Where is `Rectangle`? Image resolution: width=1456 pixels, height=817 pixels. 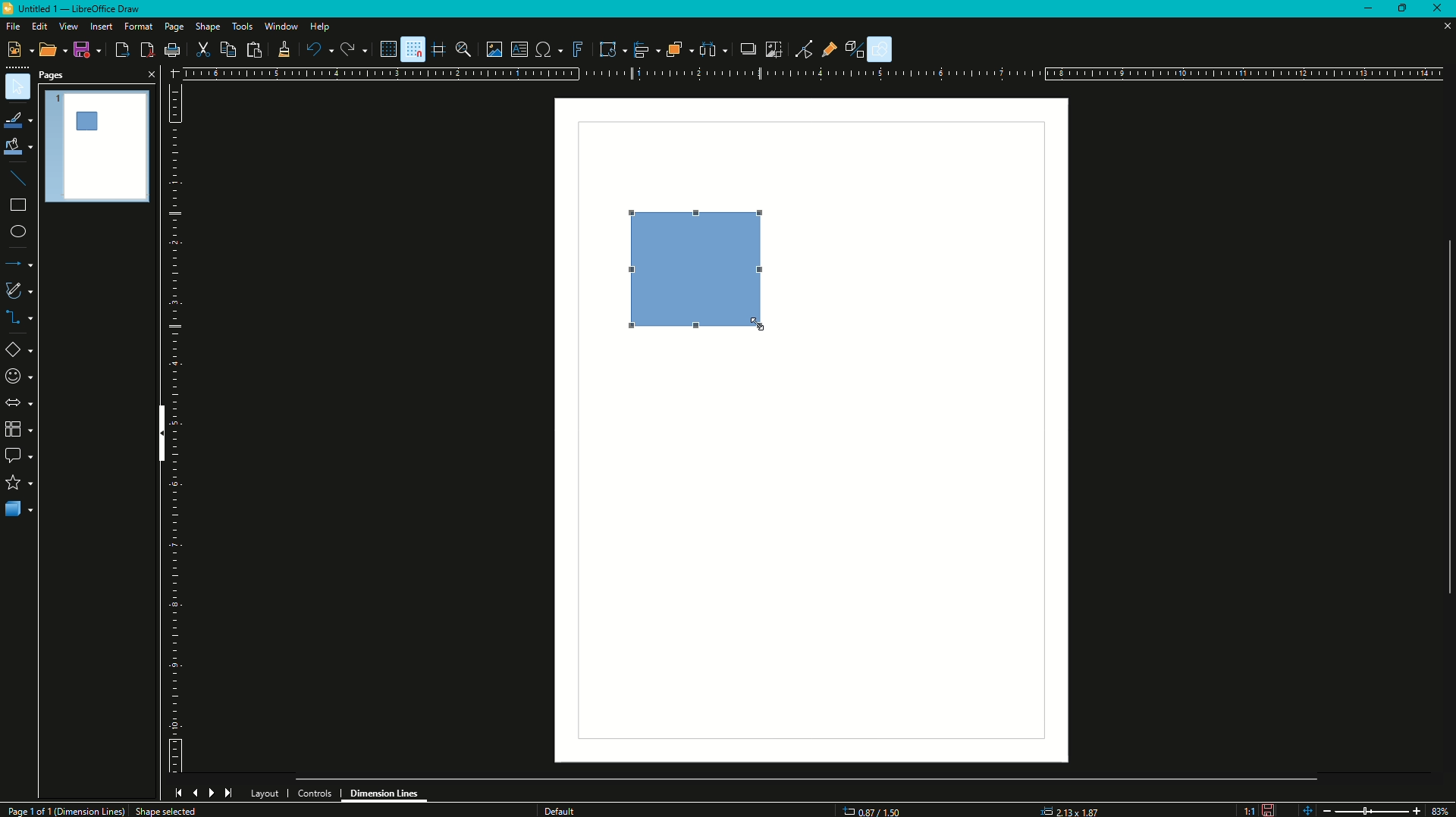
Rectangle is located at coordinates (17, 208).